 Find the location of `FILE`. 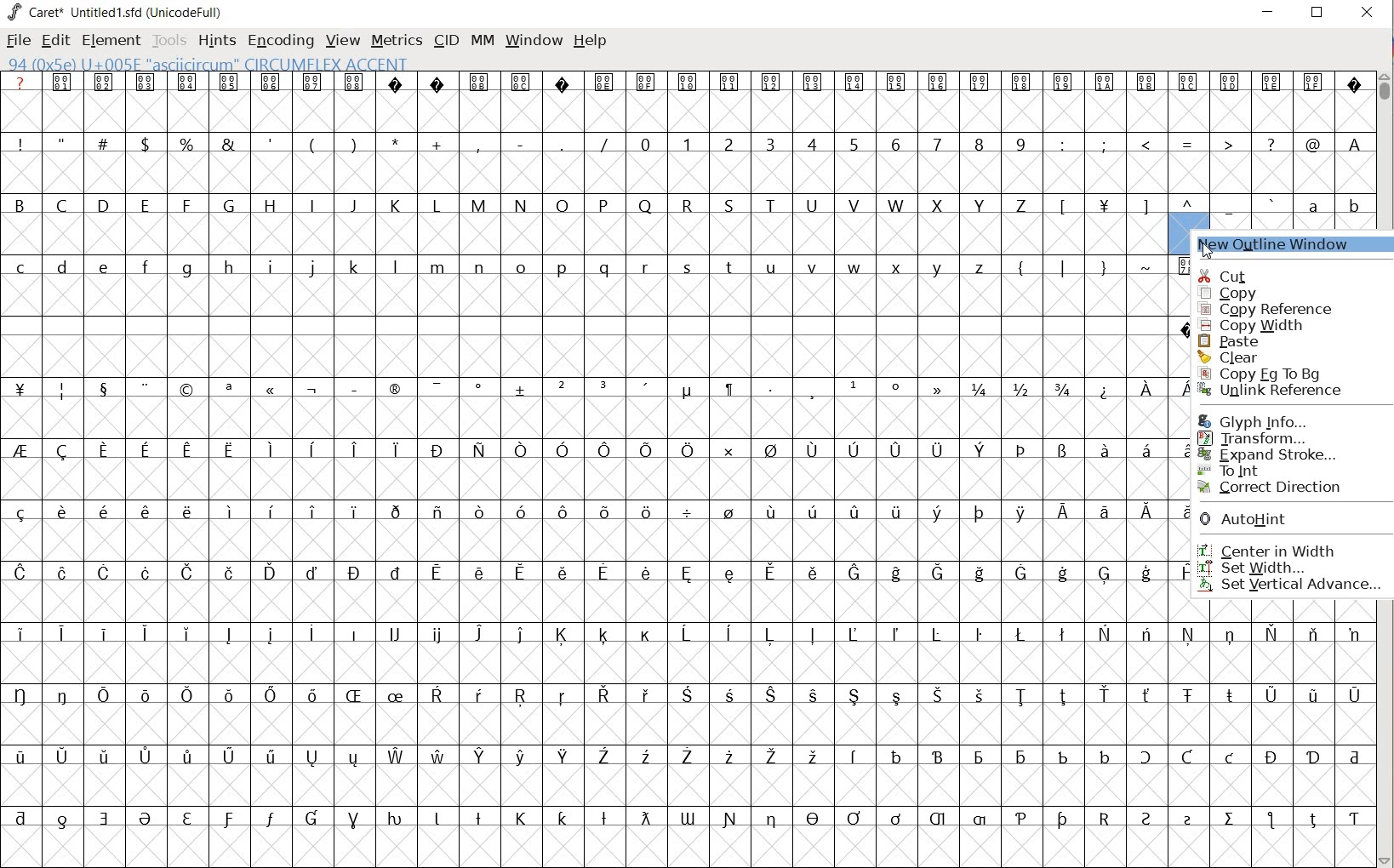

FILE is located at coordinates (17, 42).